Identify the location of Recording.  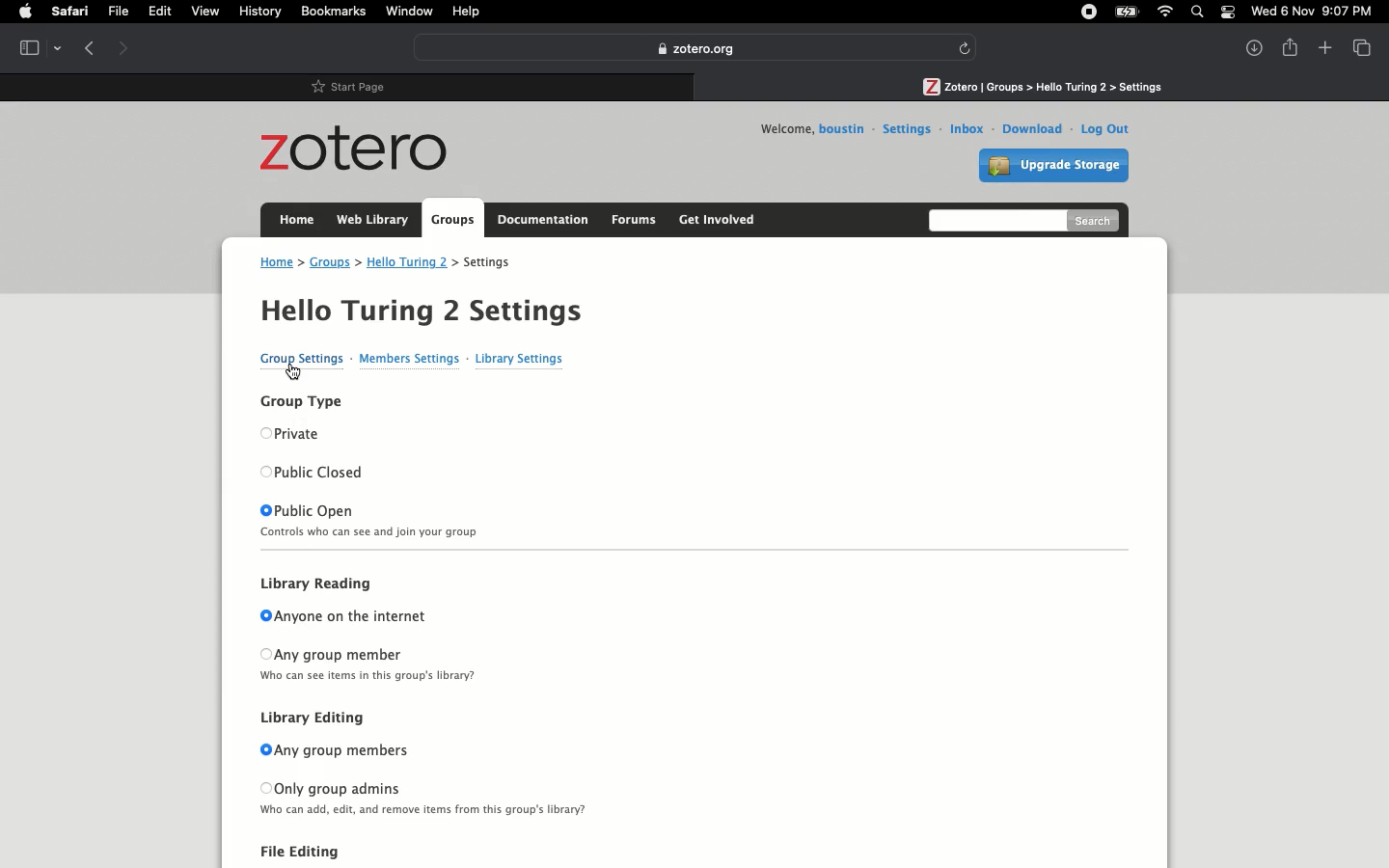
(1088, 14).